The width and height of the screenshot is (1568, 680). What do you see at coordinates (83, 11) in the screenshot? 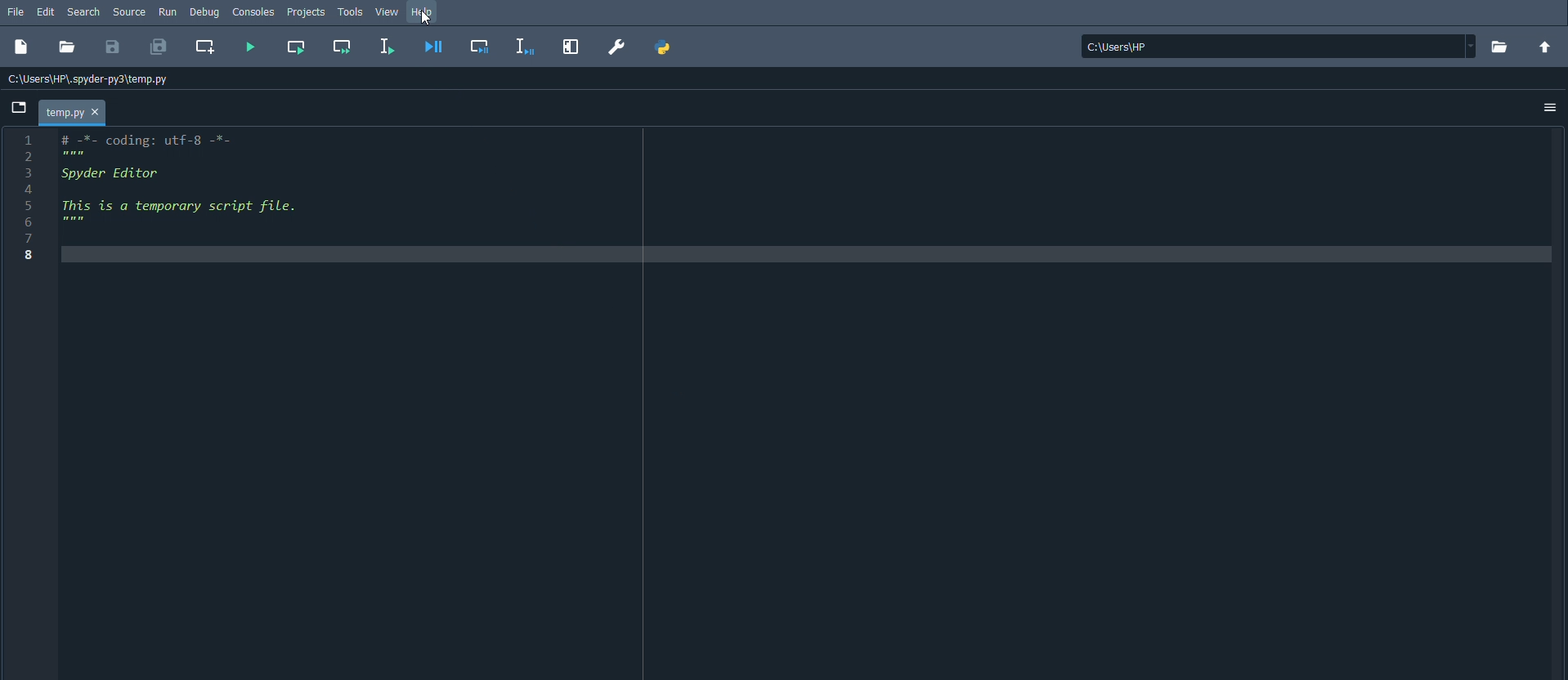
I see `Search` at bounding box center [83, 11].